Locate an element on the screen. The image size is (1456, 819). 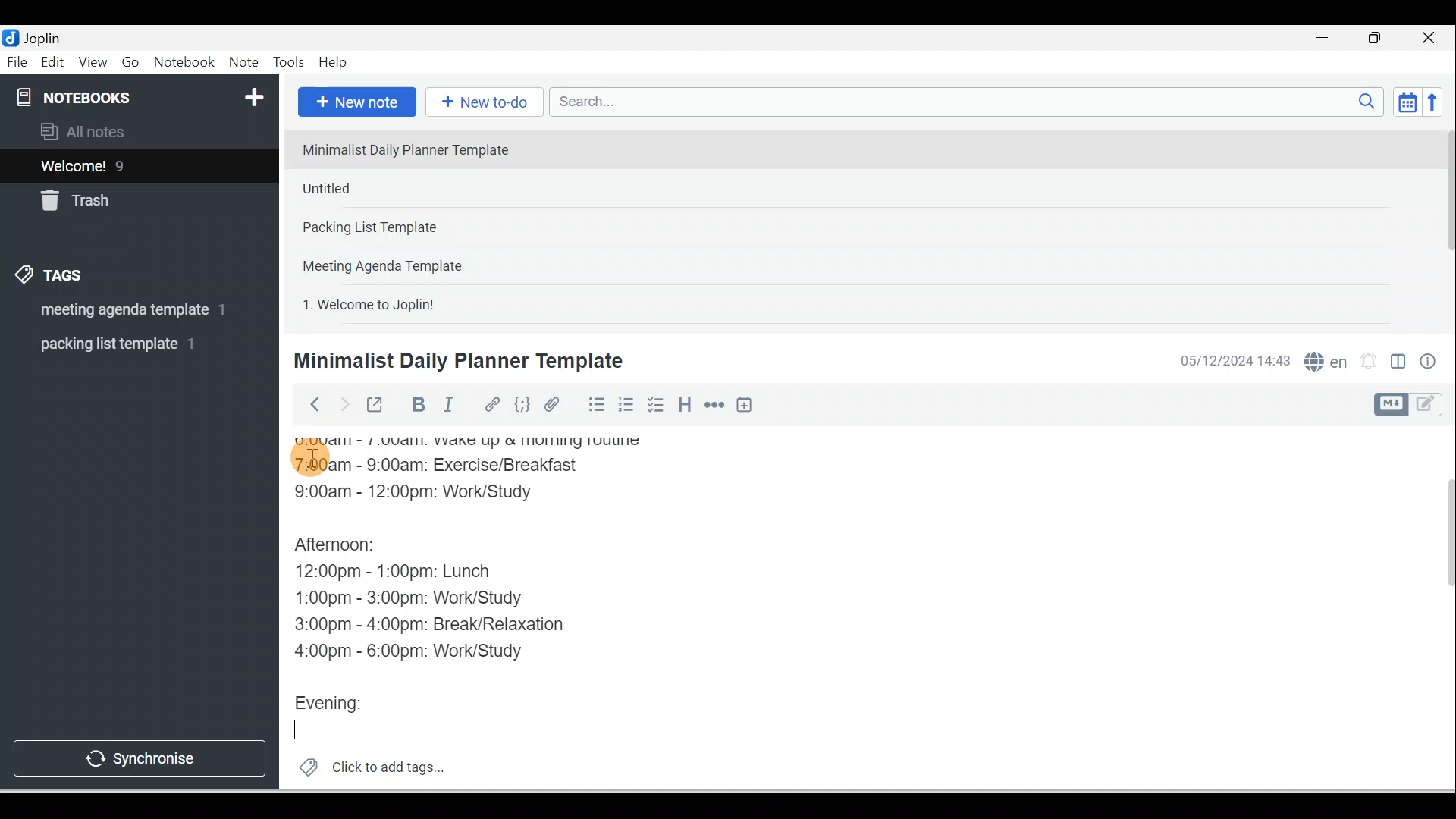
Notebooks is located at coordinates (143, 94).